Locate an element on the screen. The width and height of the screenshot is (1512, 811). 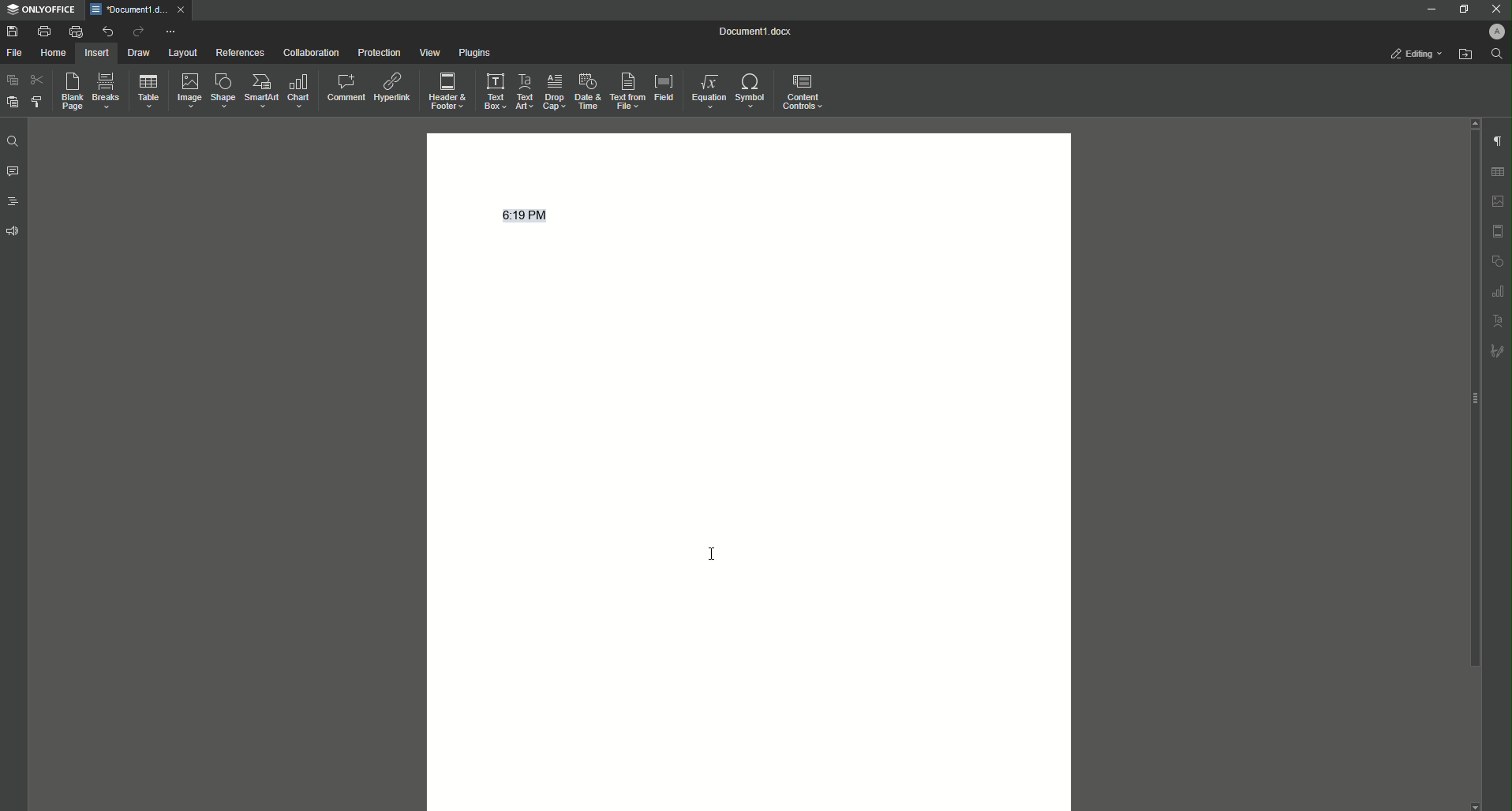
Equation is located at coordinates (709, 91).